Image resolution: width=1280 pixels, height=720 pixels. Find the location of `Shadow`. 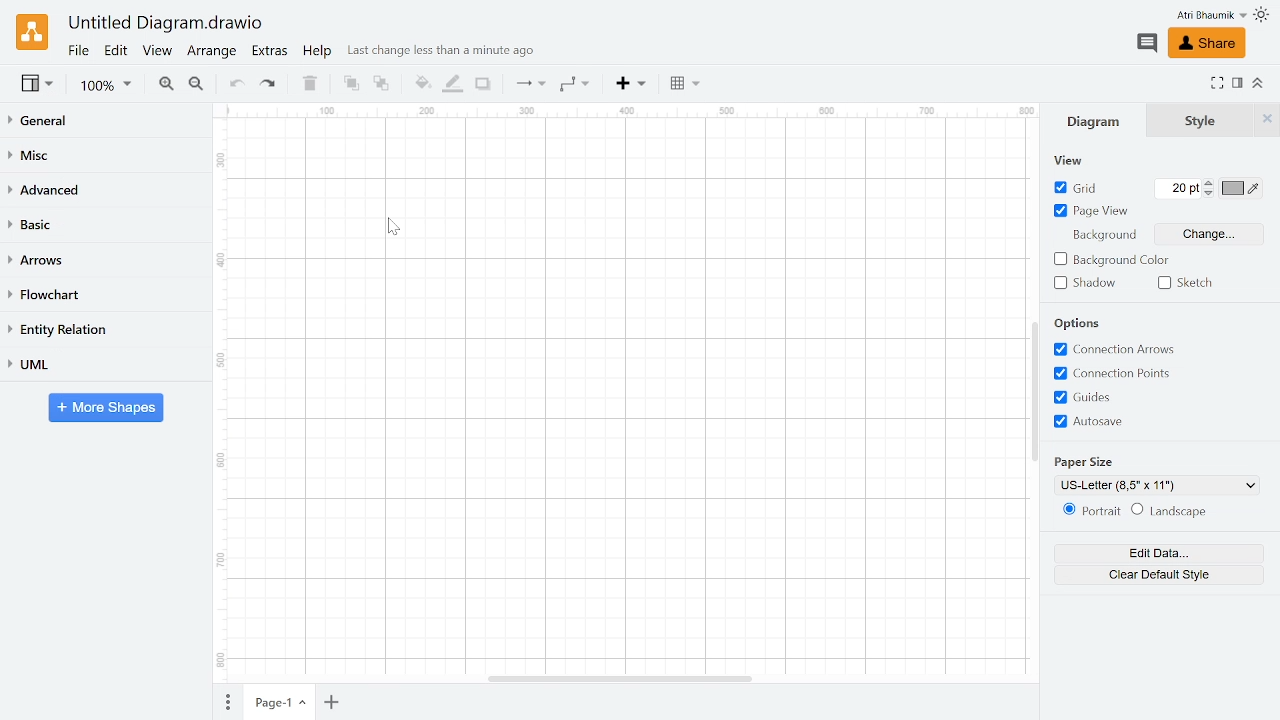

Shadow is located at coordinates (1084, 283).